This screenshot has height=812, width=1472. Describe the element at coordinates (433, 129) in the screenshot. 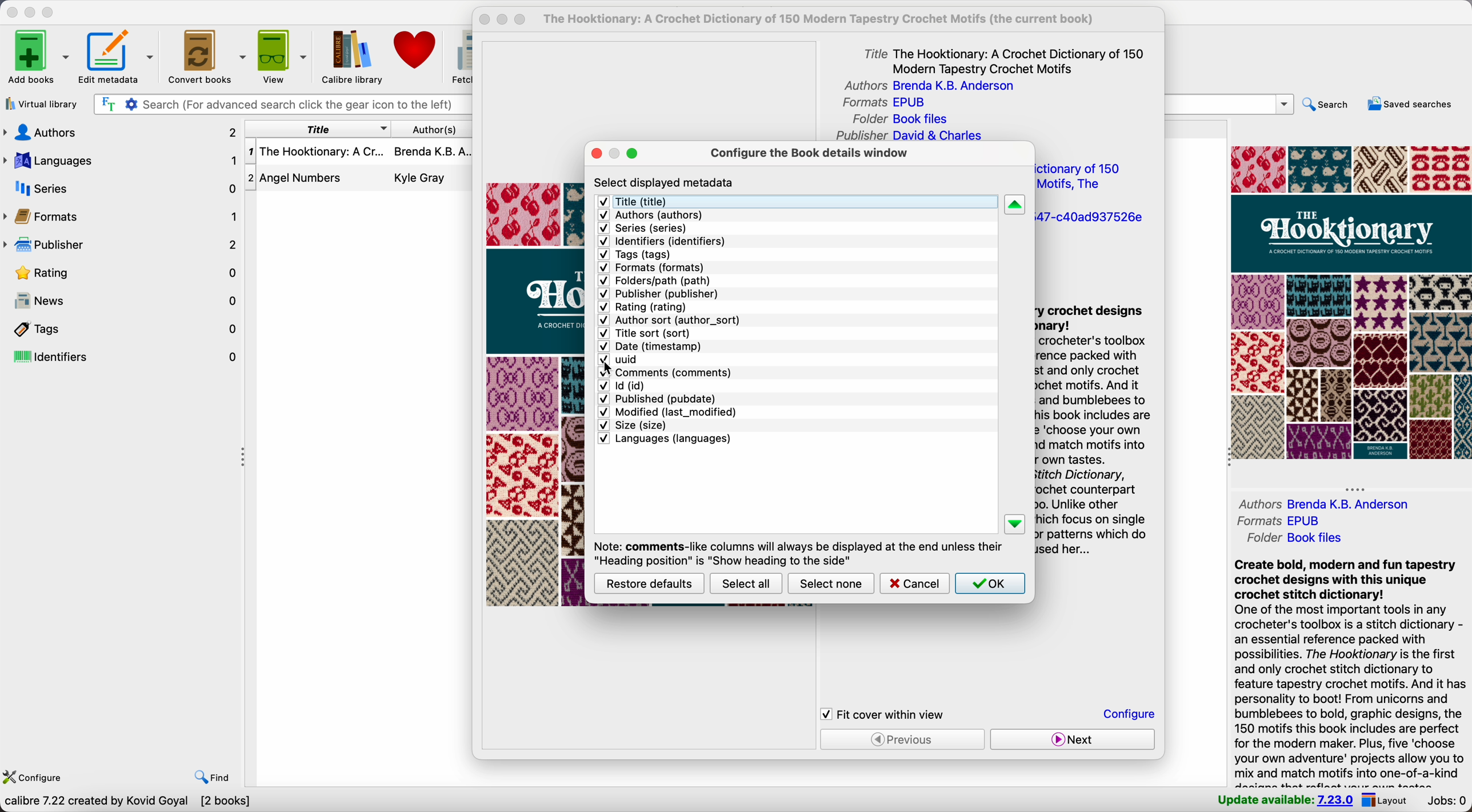

I see `author(s)` at that location.